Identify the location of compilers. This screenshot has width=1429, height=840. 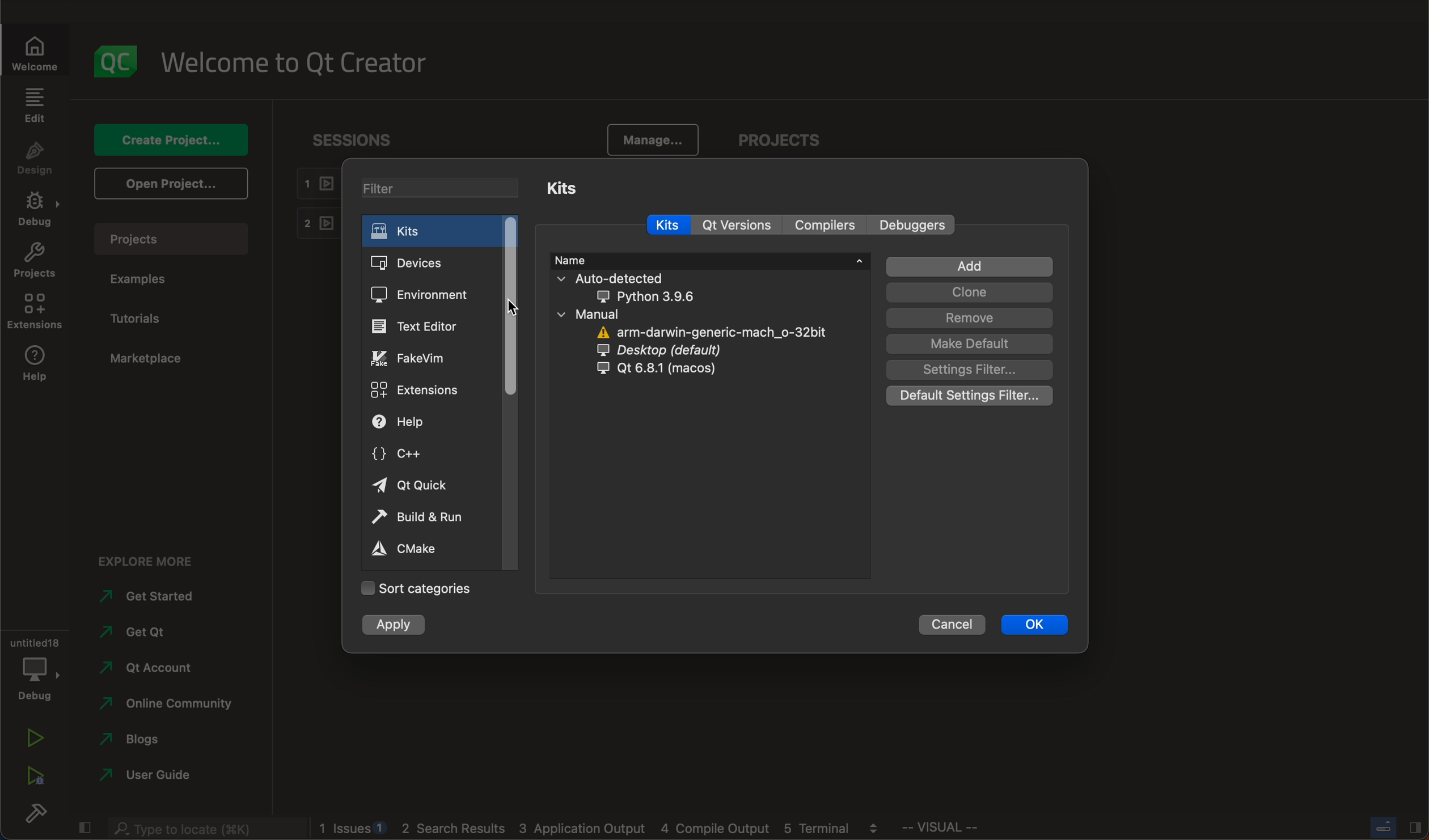
(825, 224).